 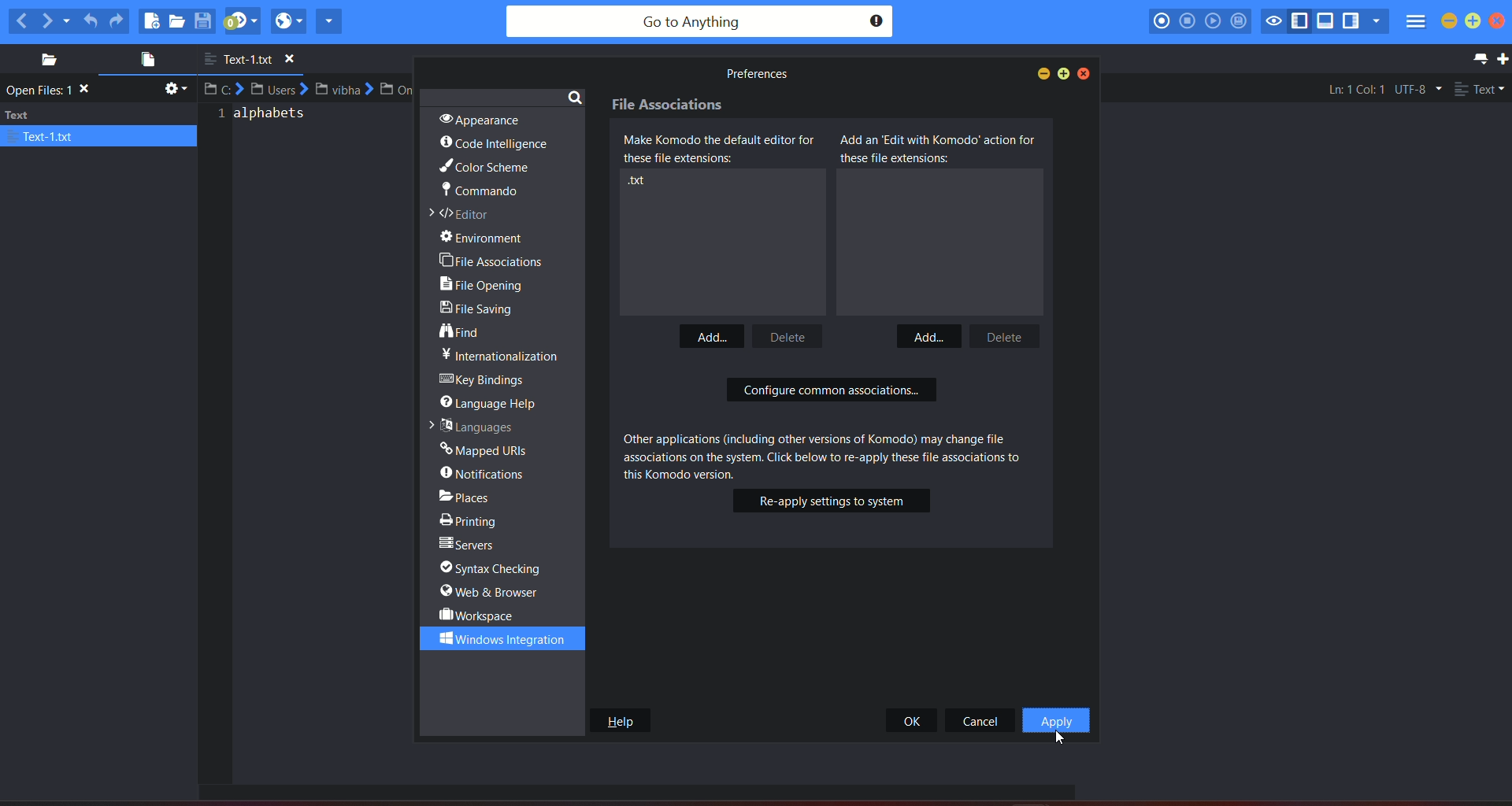 I want to click on apply, so click(x=1055, y=721).